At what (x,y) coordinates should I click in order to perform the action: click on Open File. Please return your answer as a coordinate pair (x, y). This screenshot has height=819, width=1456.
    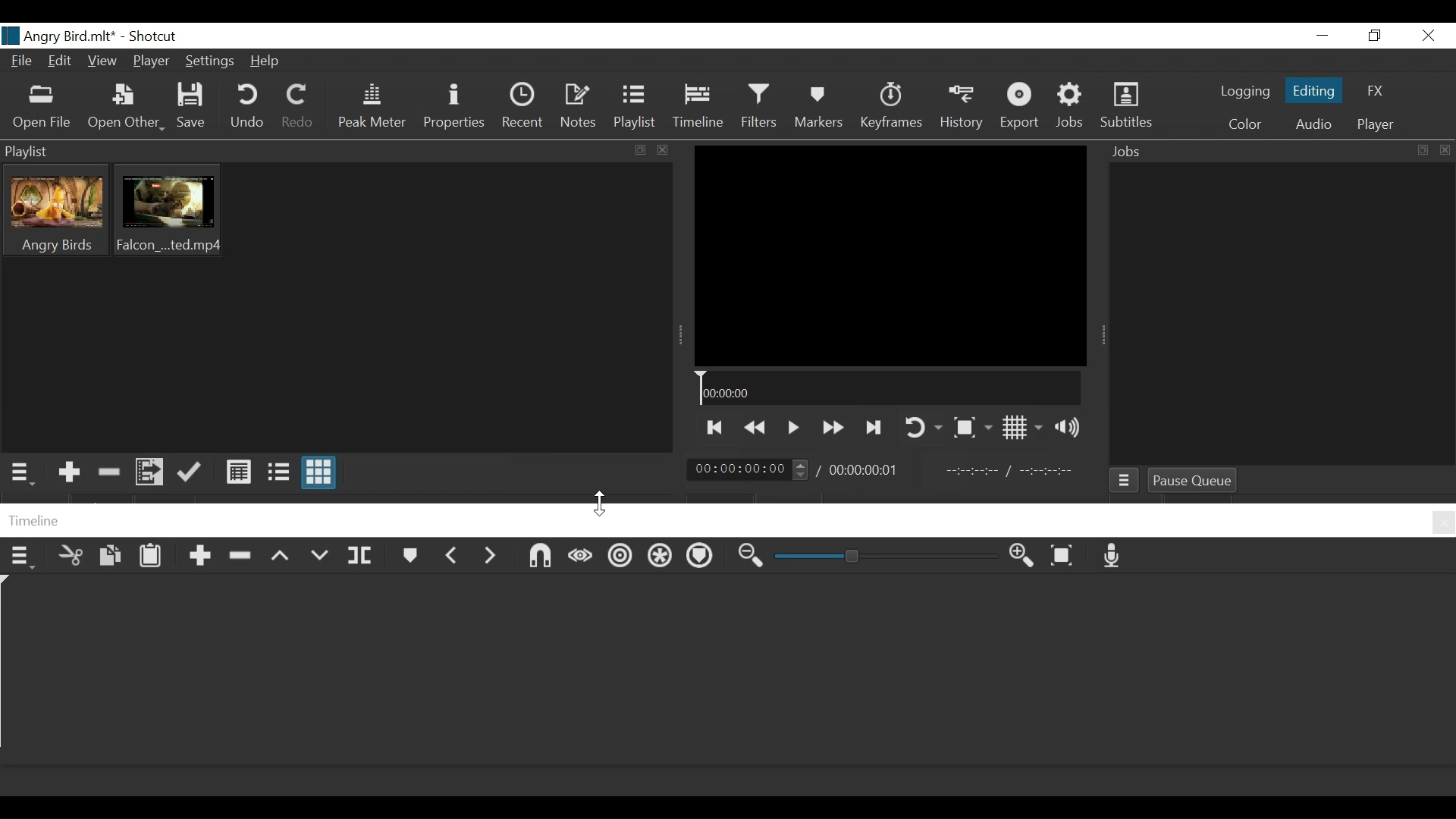
    Looking at the image, I should click on (42, 109).